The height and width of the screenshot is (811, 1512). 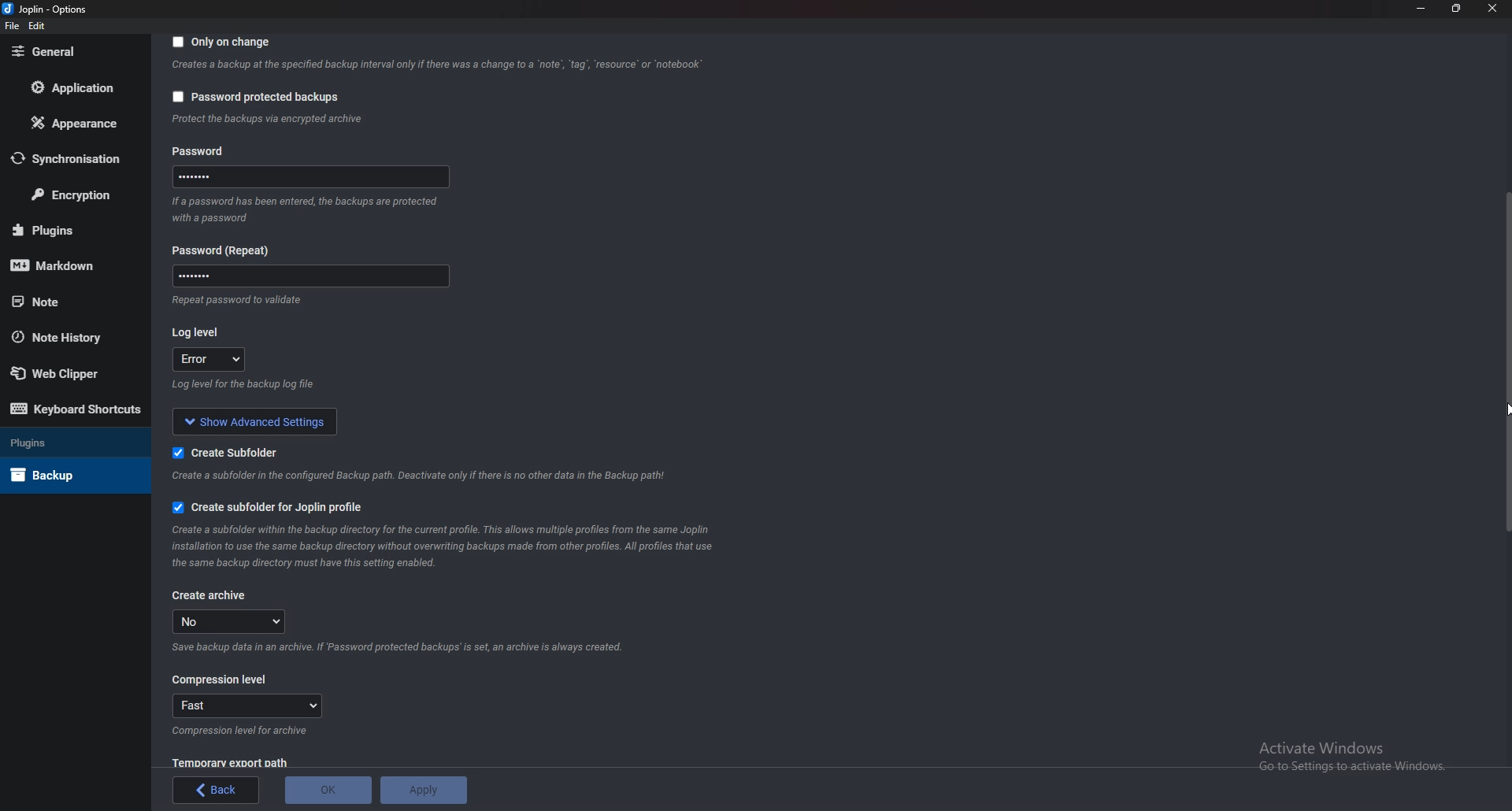 What do you see at coordinates (66, 229) in the screenshot?
I see `plugins` at bounding box center [66, 229].